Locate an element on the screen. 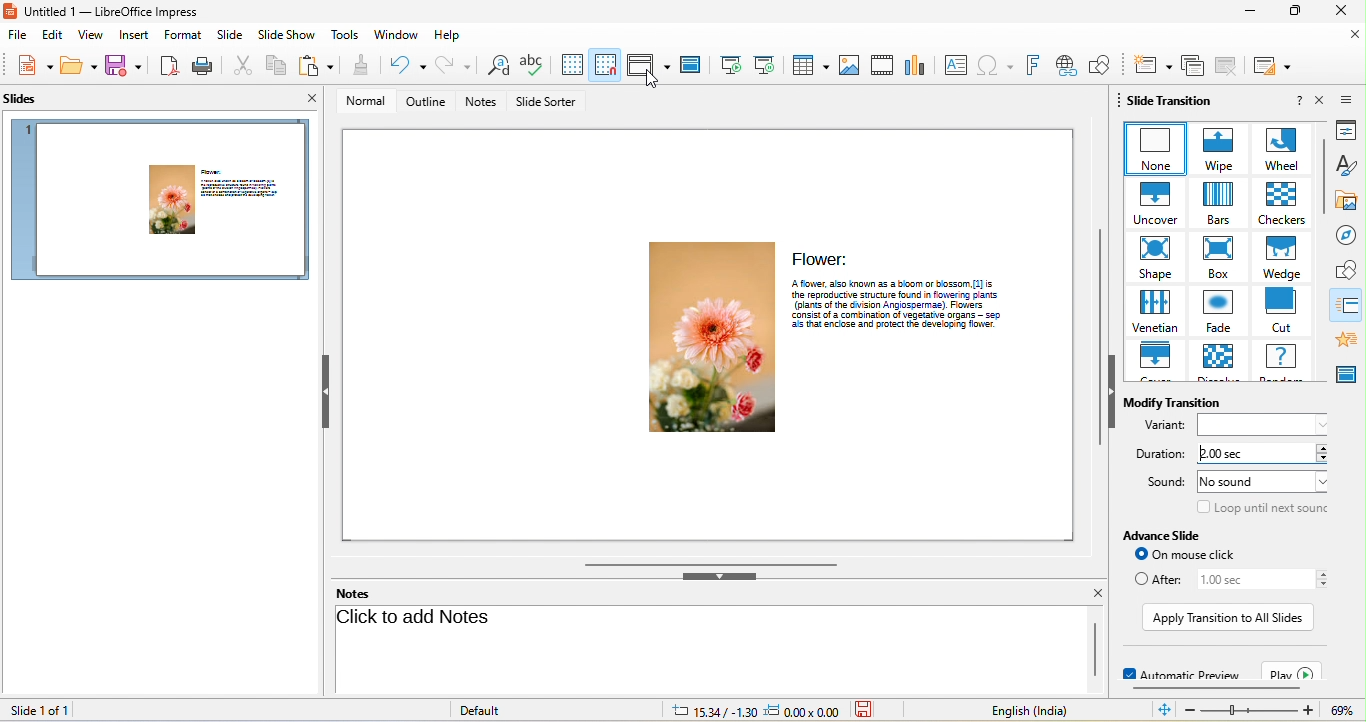 The height and width of the screenshot is (722, 1366). print is located at coordinates (200, 65).